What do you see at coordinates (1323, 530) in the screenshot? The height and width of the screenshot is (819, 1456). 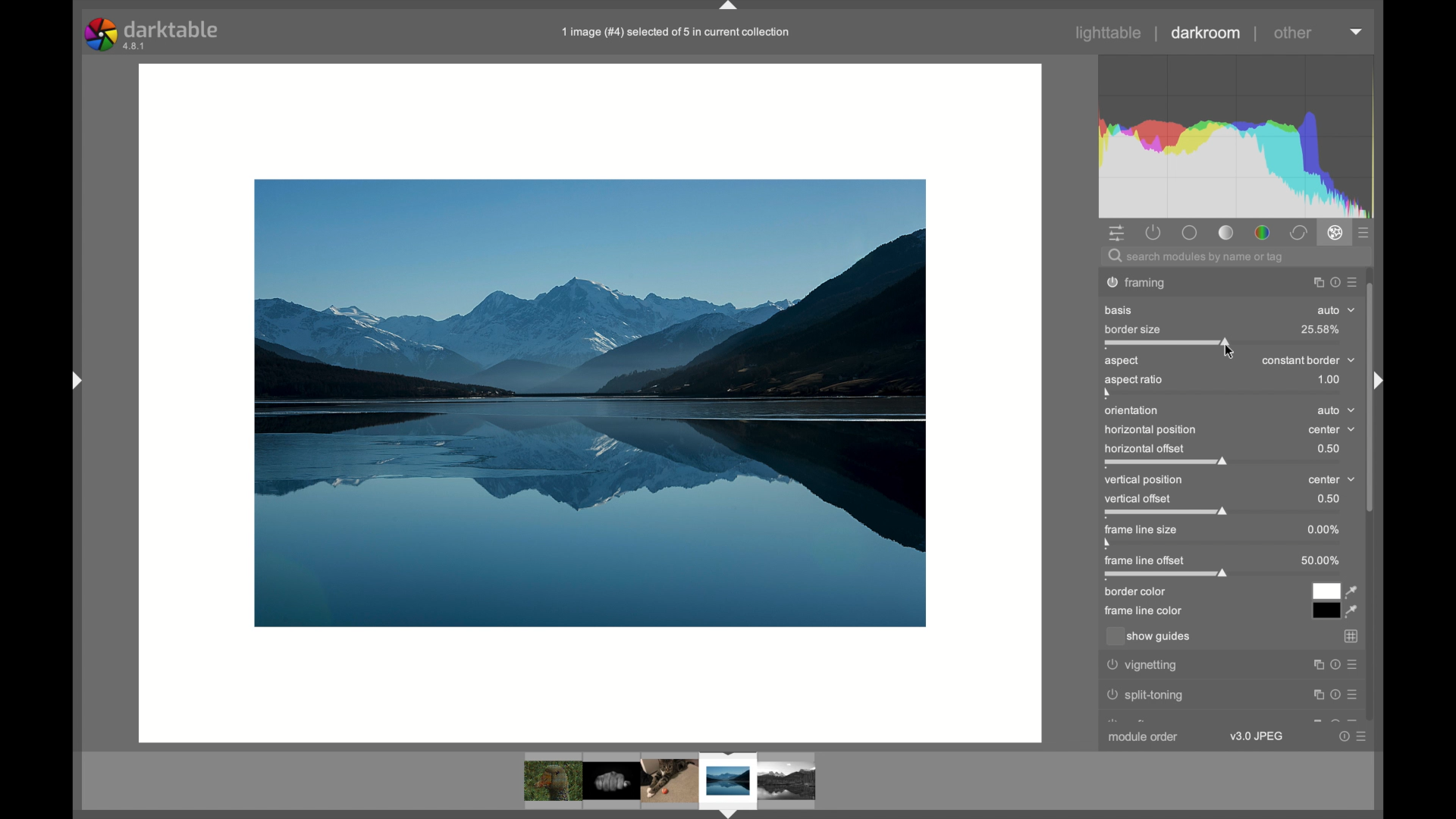 I see `0%` at bounding box center [1323, 530].